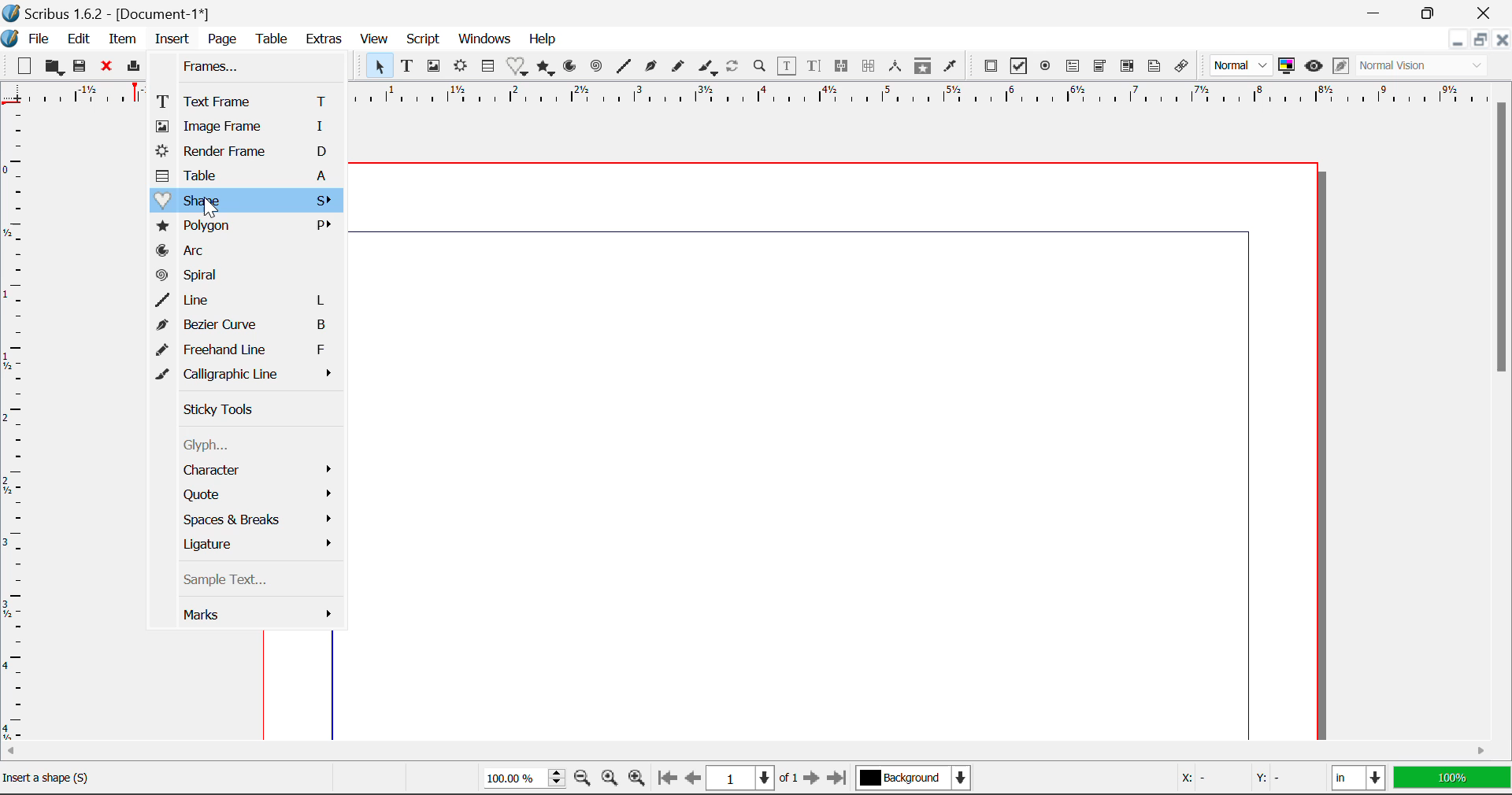 The width and height of the screenshot is (1512, 795). Describe the element at coordinates (375, 41) in the screenshot. I see `View` at that location.